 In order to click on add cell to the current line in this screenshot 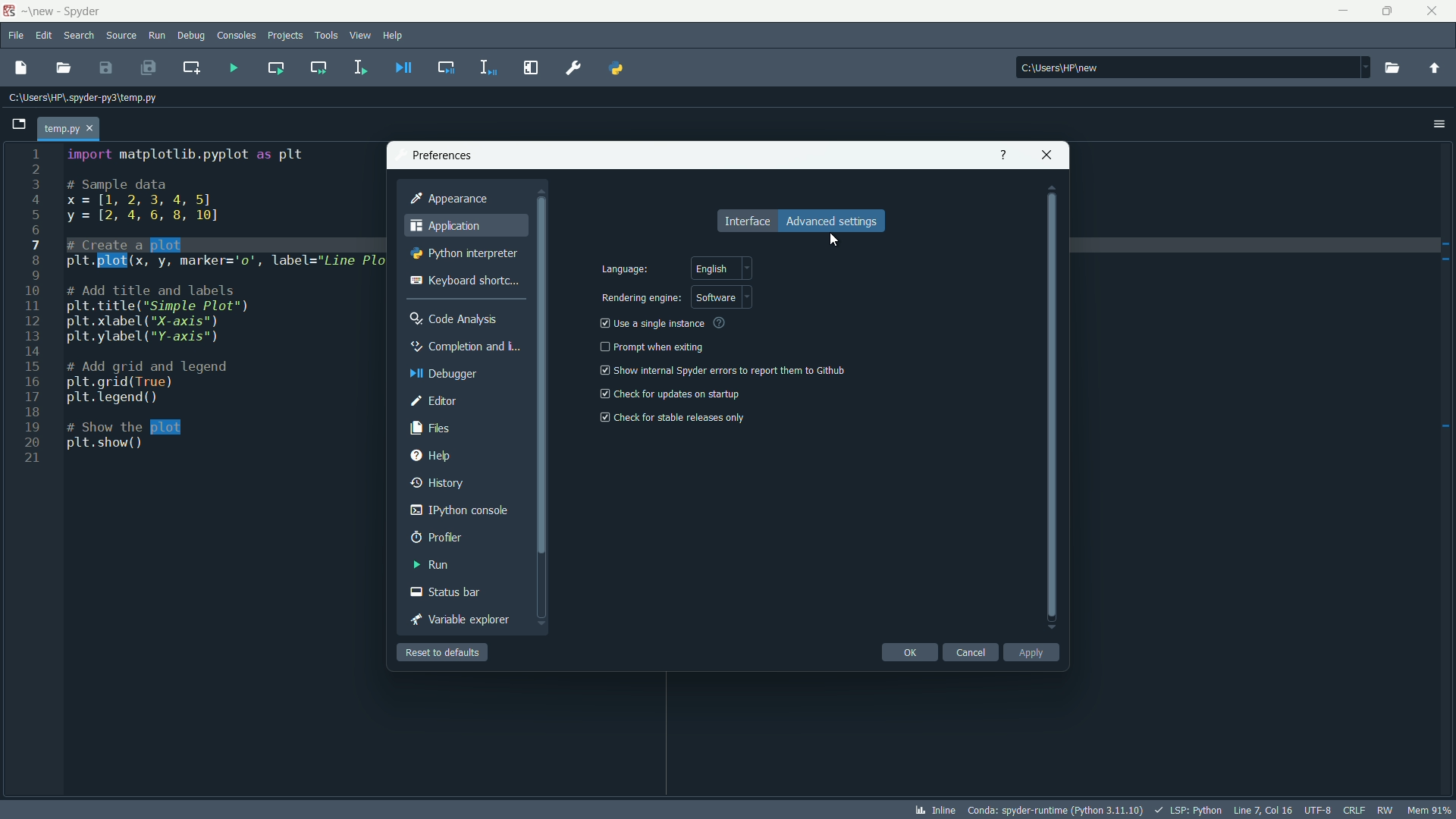, I will do `click(190, 67)`.